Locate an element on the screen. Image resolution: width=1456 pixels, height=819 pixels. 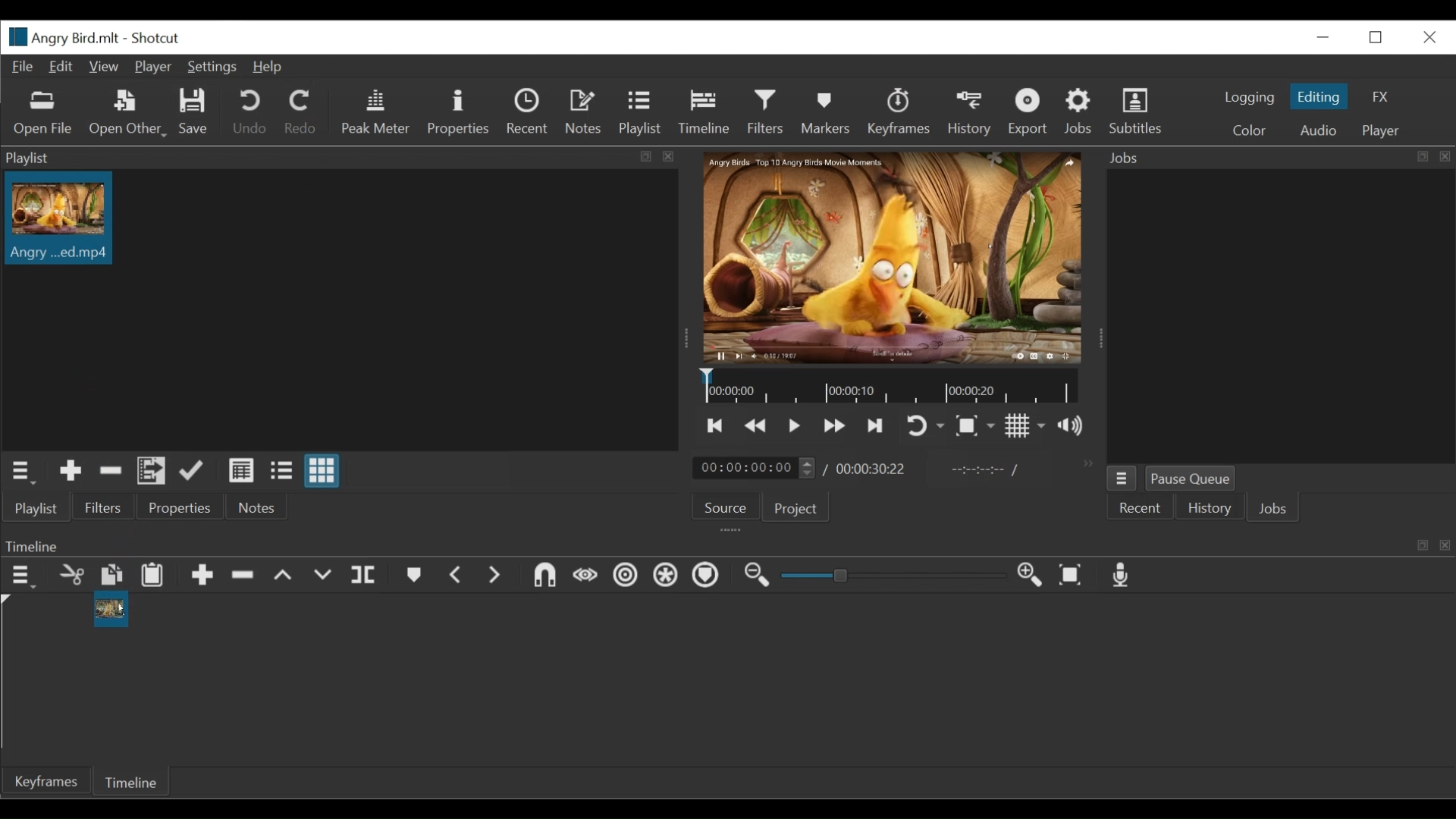
View as icons is located at coordinates (322, 469).